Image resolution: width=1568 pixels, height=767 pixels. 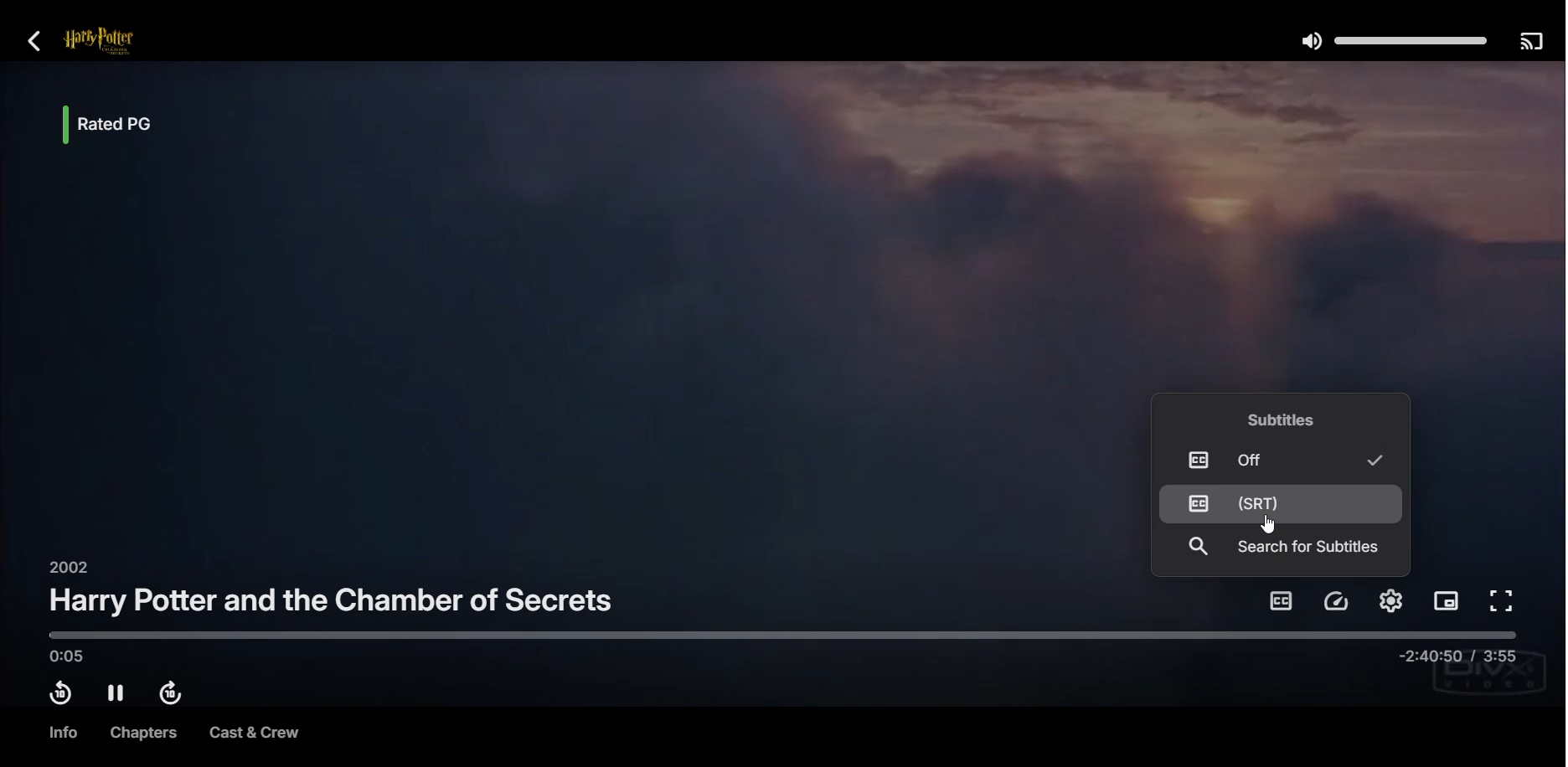 What do you see at coordinates (1530, 40) in the screenshot?
I see `Play on another device` at bounding box center [1530, 40].